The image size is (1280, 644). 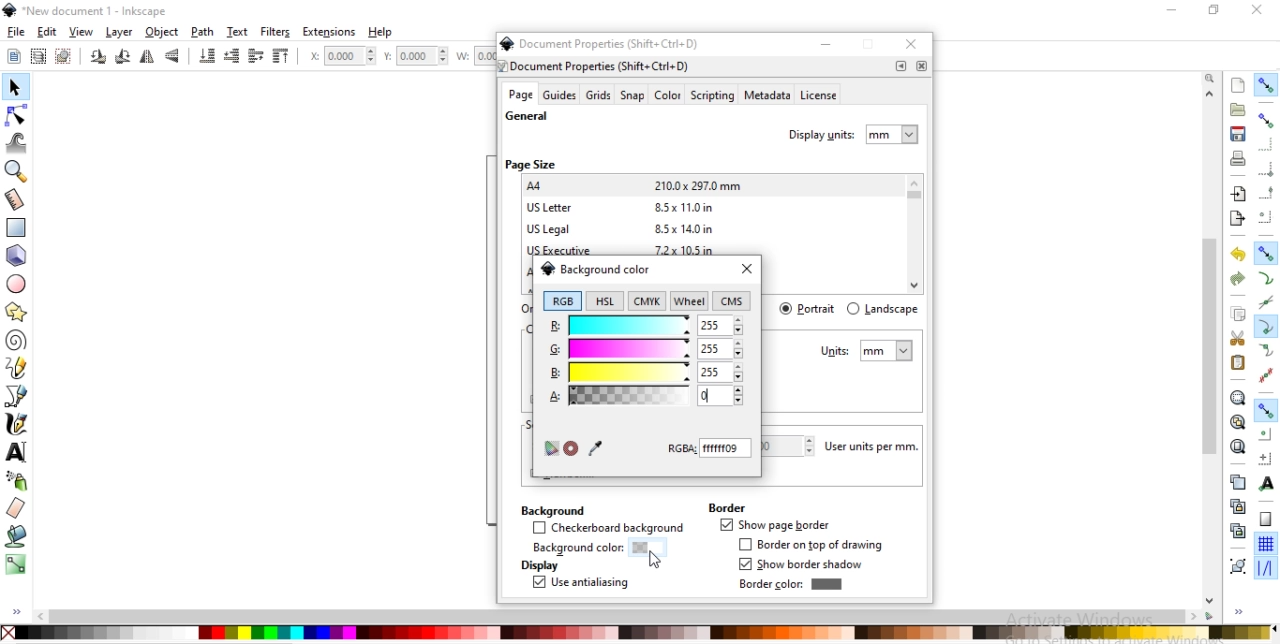 What do you see at coordinates (1169, 8) in the screenshot?
I see `minimize` at bounding box center [1169, 8].